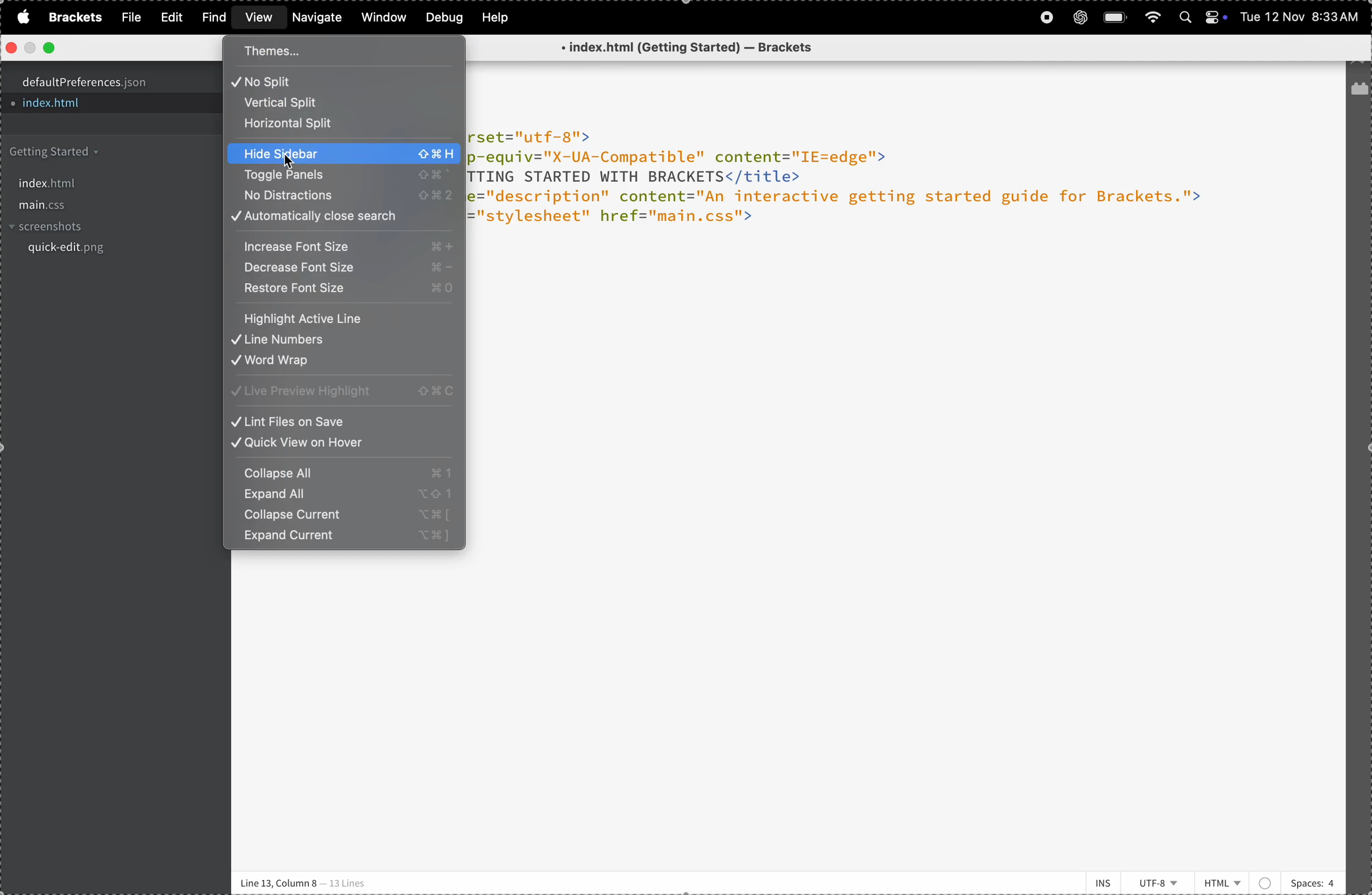 The image size is (1372, 895). Describe the element at coordinates (344, 420) in the screenshot. I see `lint files on save` at that location.